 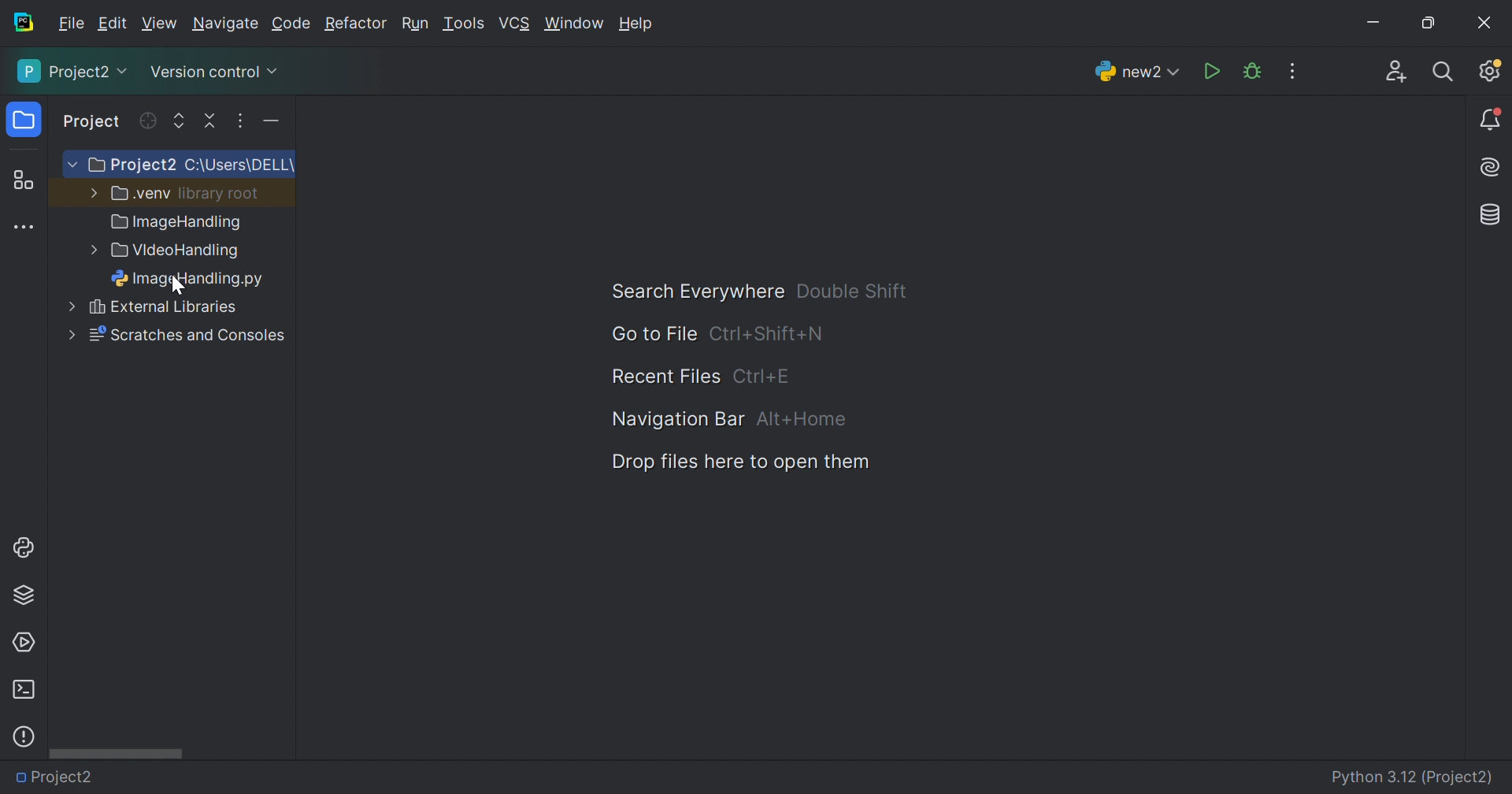 I want to click on VideoHandling.py, so click(x=198, y=775).